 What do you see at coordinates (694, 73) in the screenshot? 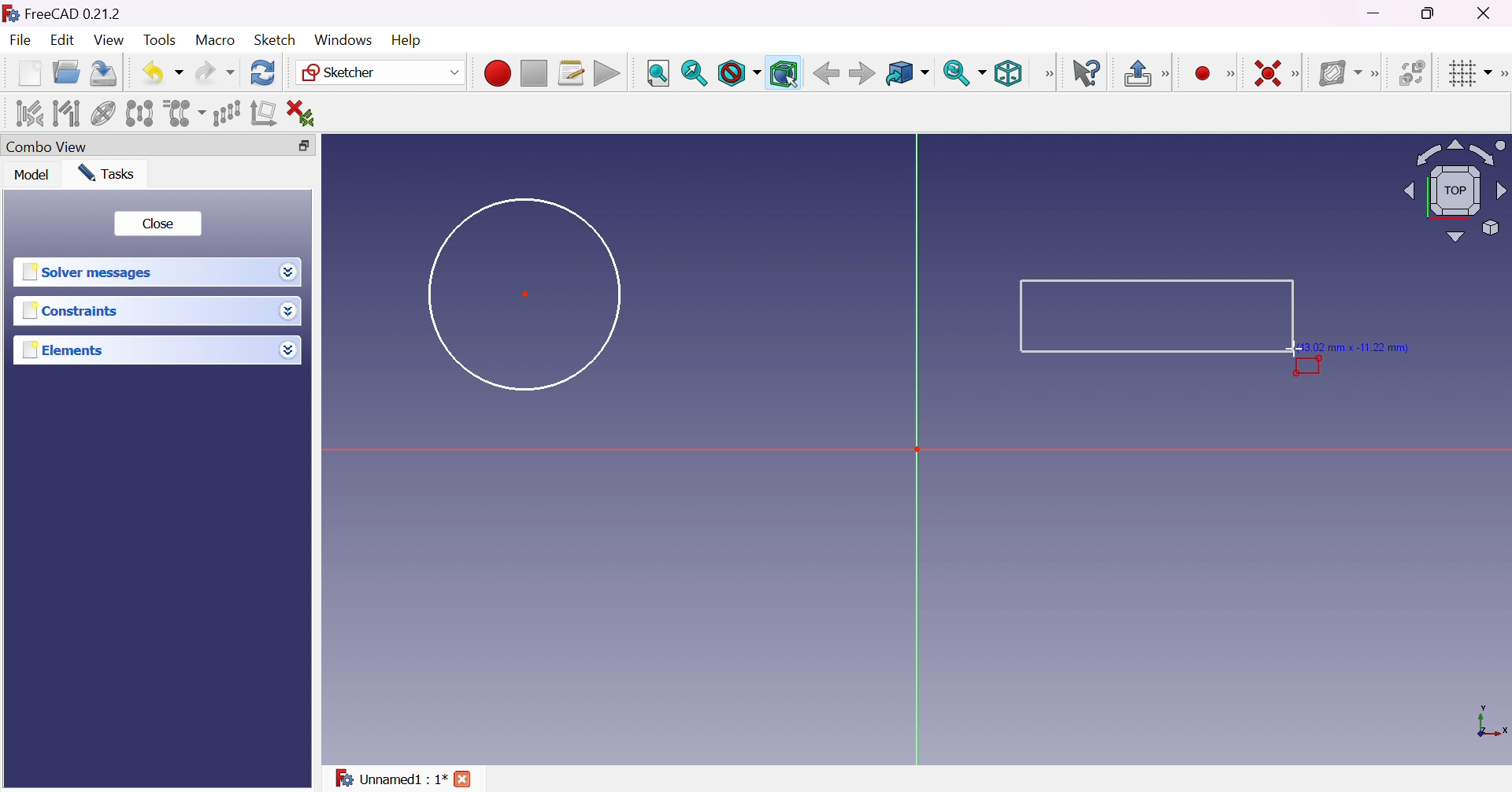
I see `Fit selection` at bounding box center [694, 73].